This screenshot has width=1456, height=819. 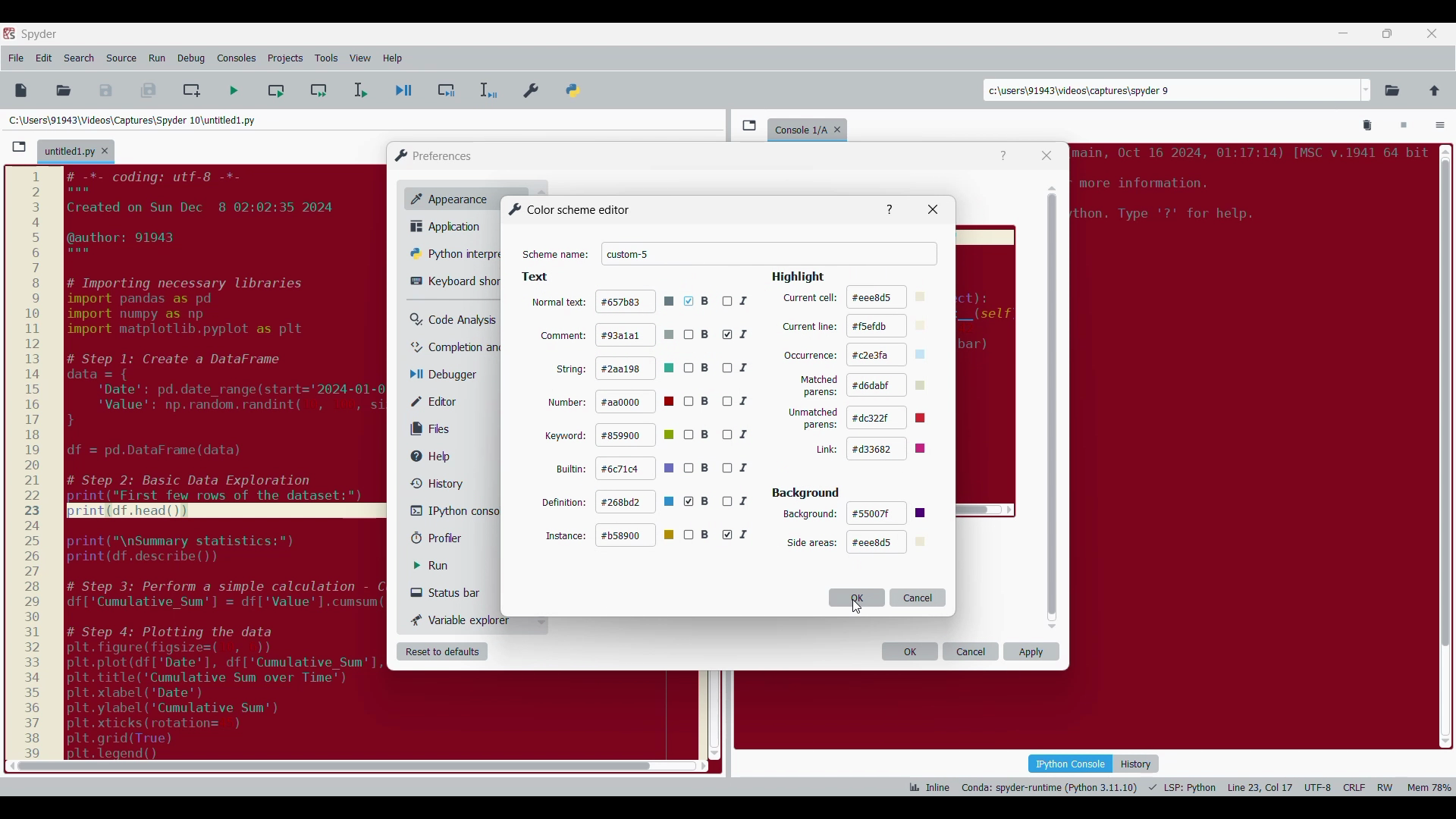 What do you see at coordinates (1440, 127) in the screenshot?
I see `Options` at bounding box center [1440, 127].